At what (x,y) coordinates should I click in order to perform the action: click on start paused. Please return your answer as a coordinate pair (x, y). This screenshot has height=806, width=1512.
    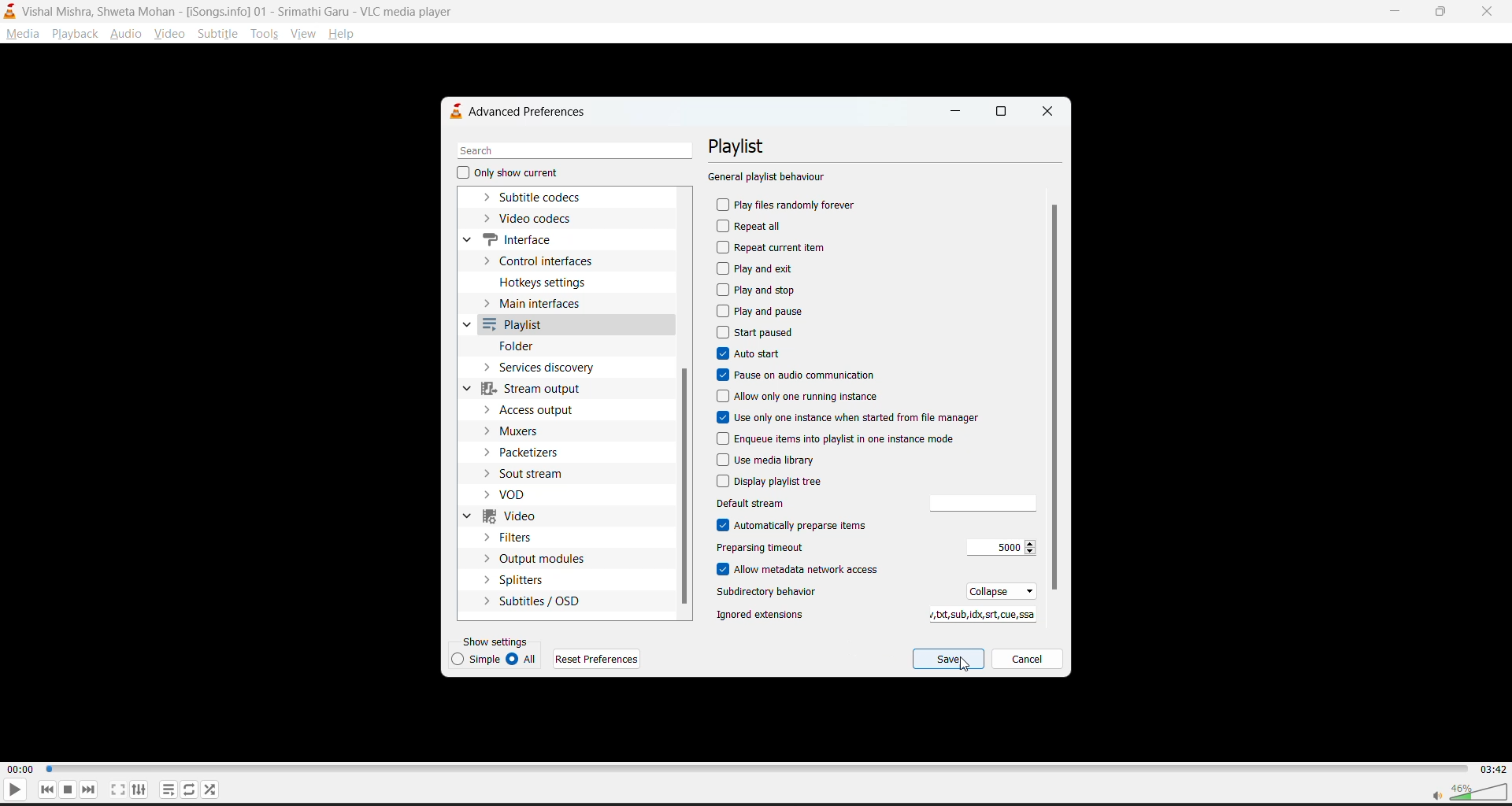
    Looking at the image, I should click on (758, 332).